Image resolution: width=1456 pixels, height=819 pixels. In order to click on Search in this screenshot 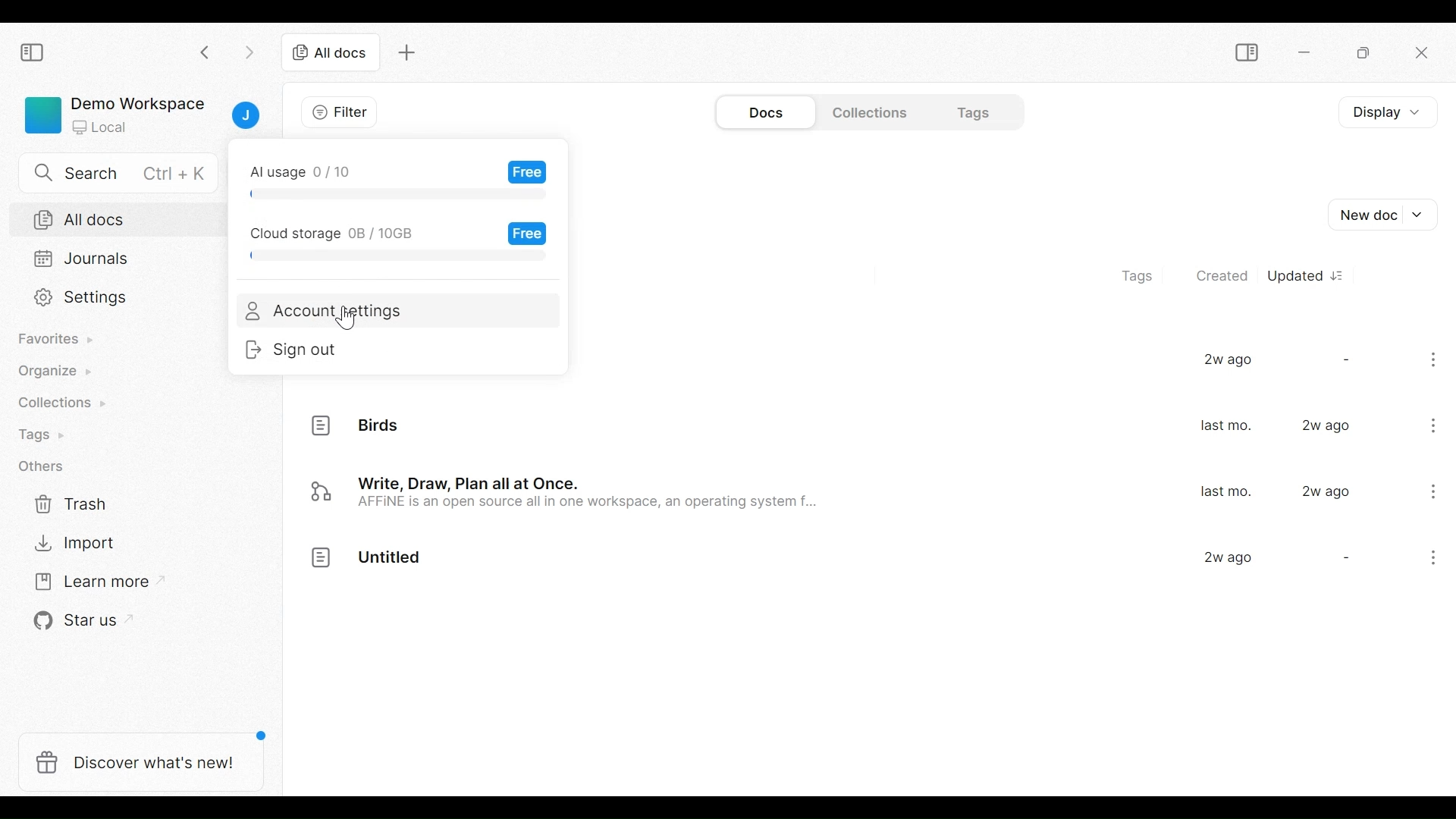, I will do `click(111, 173)`.